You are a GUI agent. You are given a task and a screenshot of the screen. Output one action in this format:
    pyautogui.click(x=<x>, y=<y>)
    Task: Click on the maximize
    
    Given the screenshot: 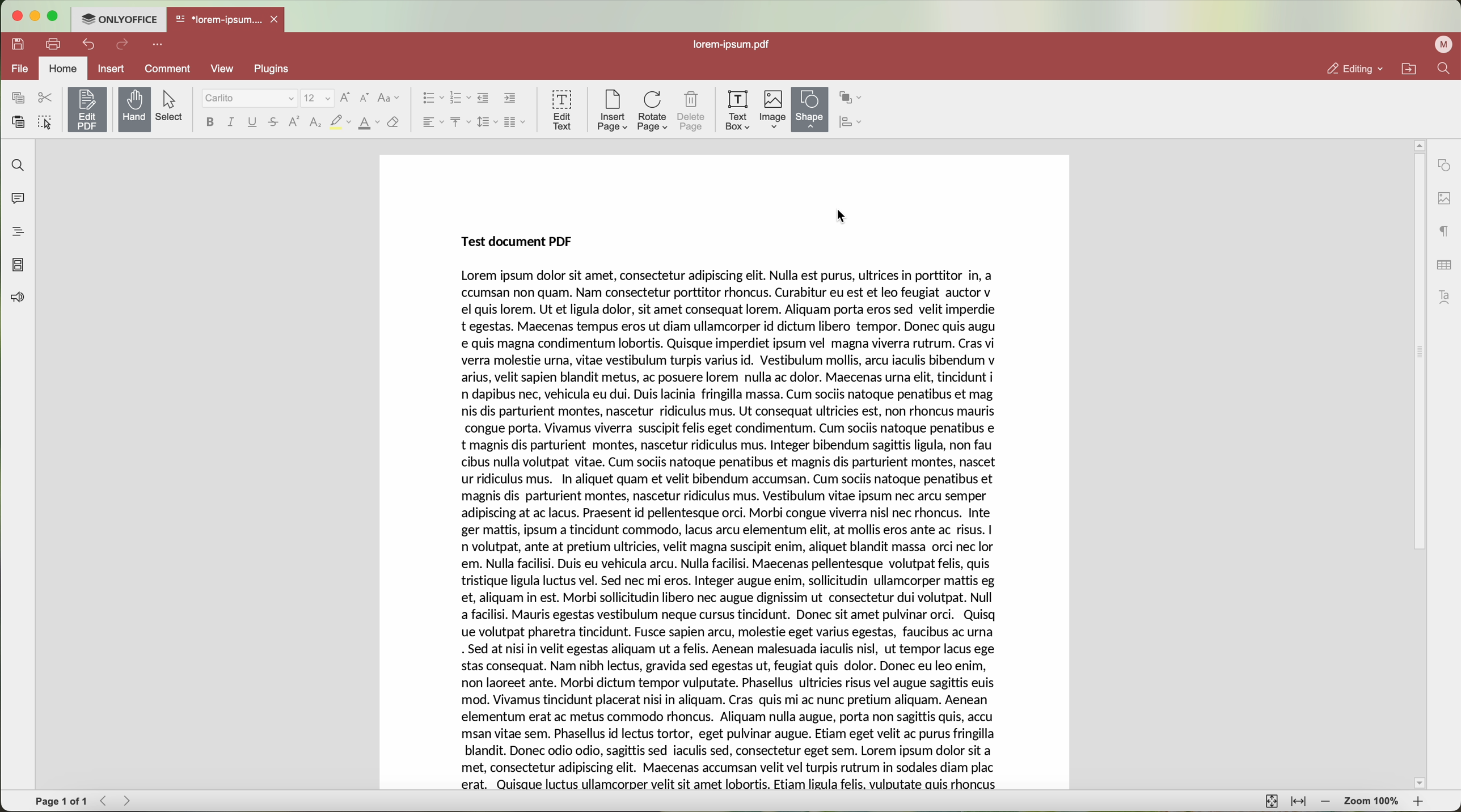 What is the action you would take?
    pyautogui.click(x=54, y=18)
    